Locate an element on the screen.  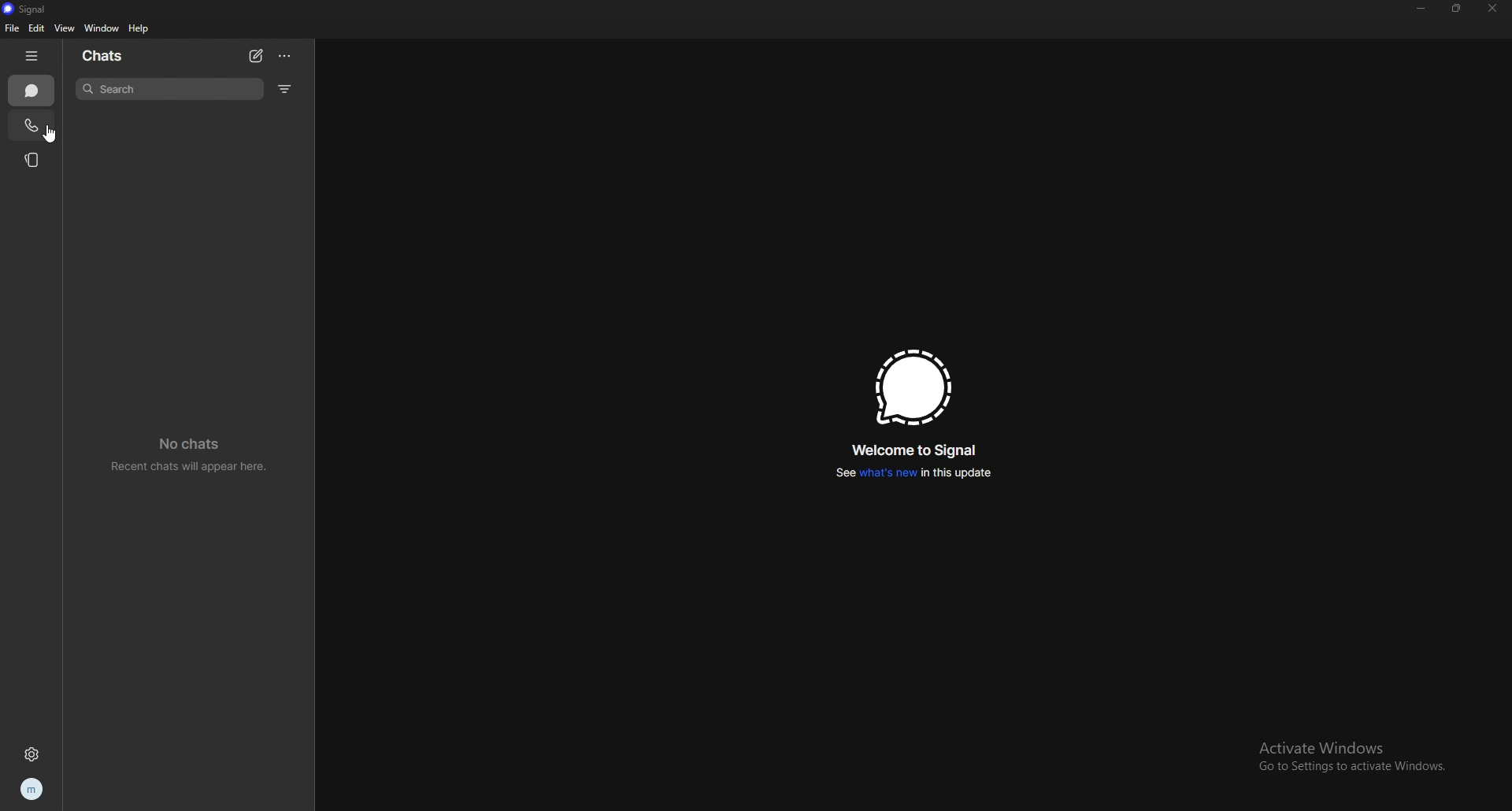
chats is located at coordinates (107, 55).